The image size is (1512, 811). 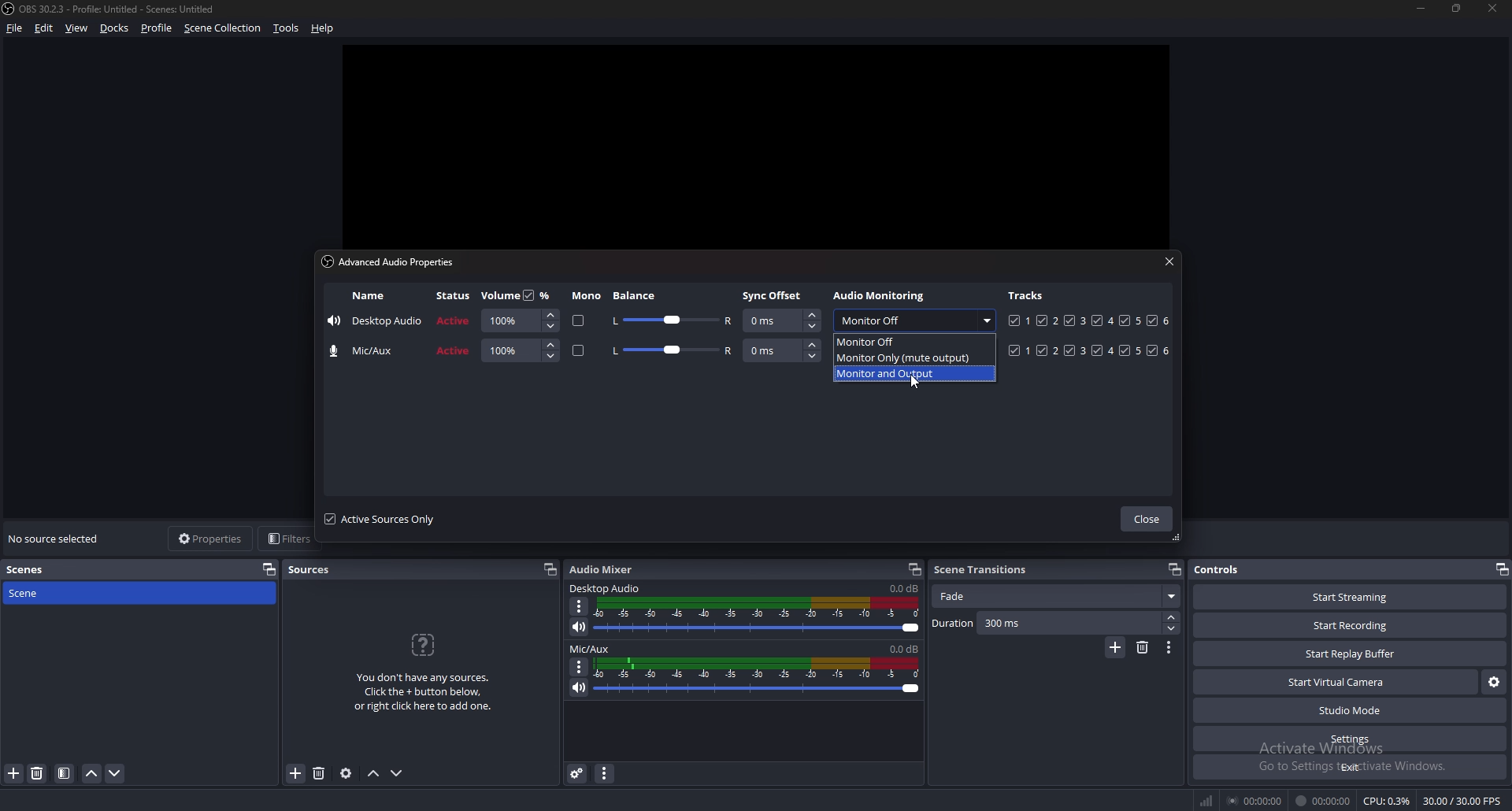 I want to click on move source down, so click(x=397, y=772).